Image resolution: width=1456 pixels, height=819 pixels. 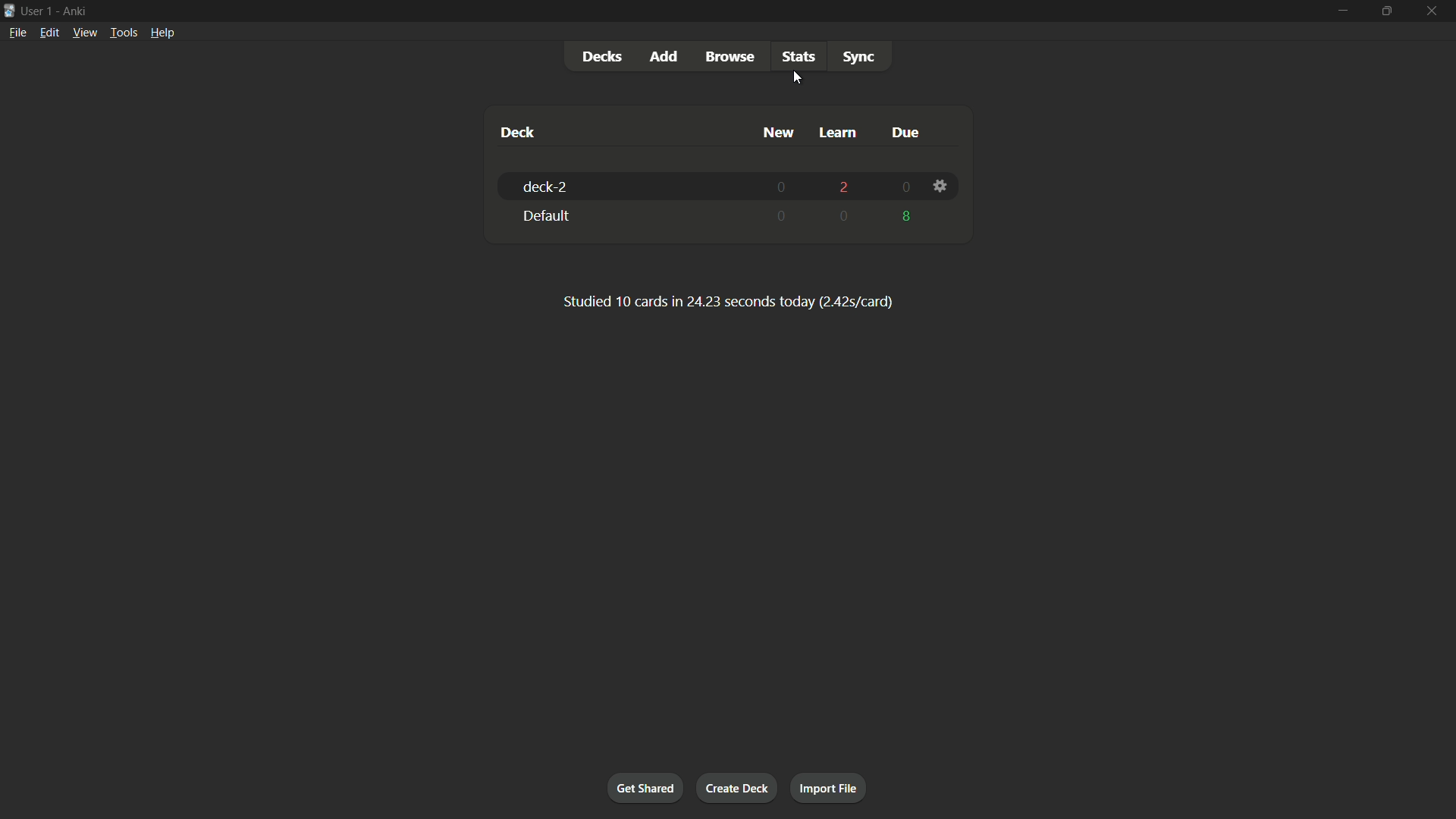 I want to click on Learn, so click(x=839, y=129).